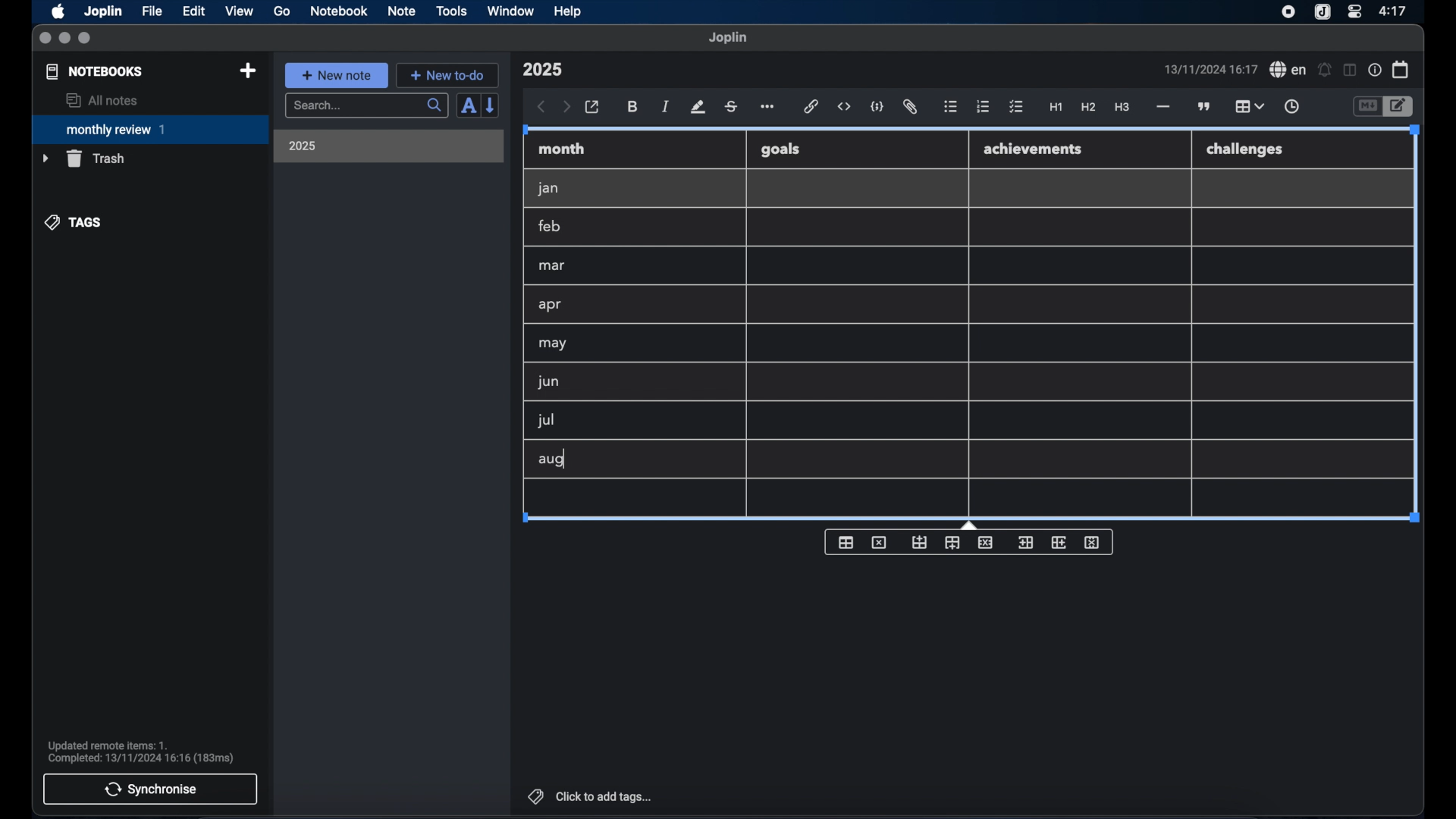  I want to click on minimize, so click(64, 39).